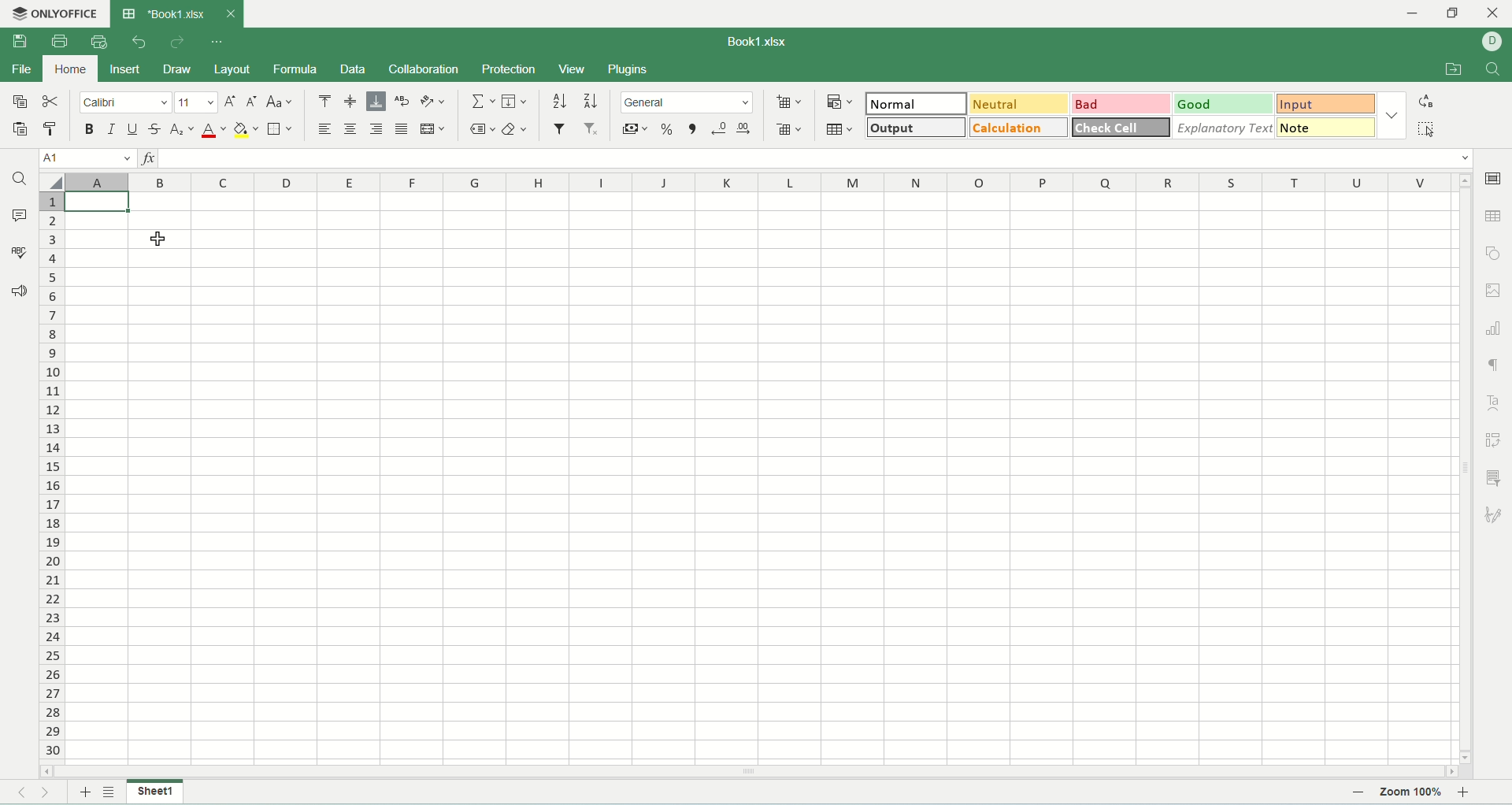  I want to click on clear, so click(516, 130).